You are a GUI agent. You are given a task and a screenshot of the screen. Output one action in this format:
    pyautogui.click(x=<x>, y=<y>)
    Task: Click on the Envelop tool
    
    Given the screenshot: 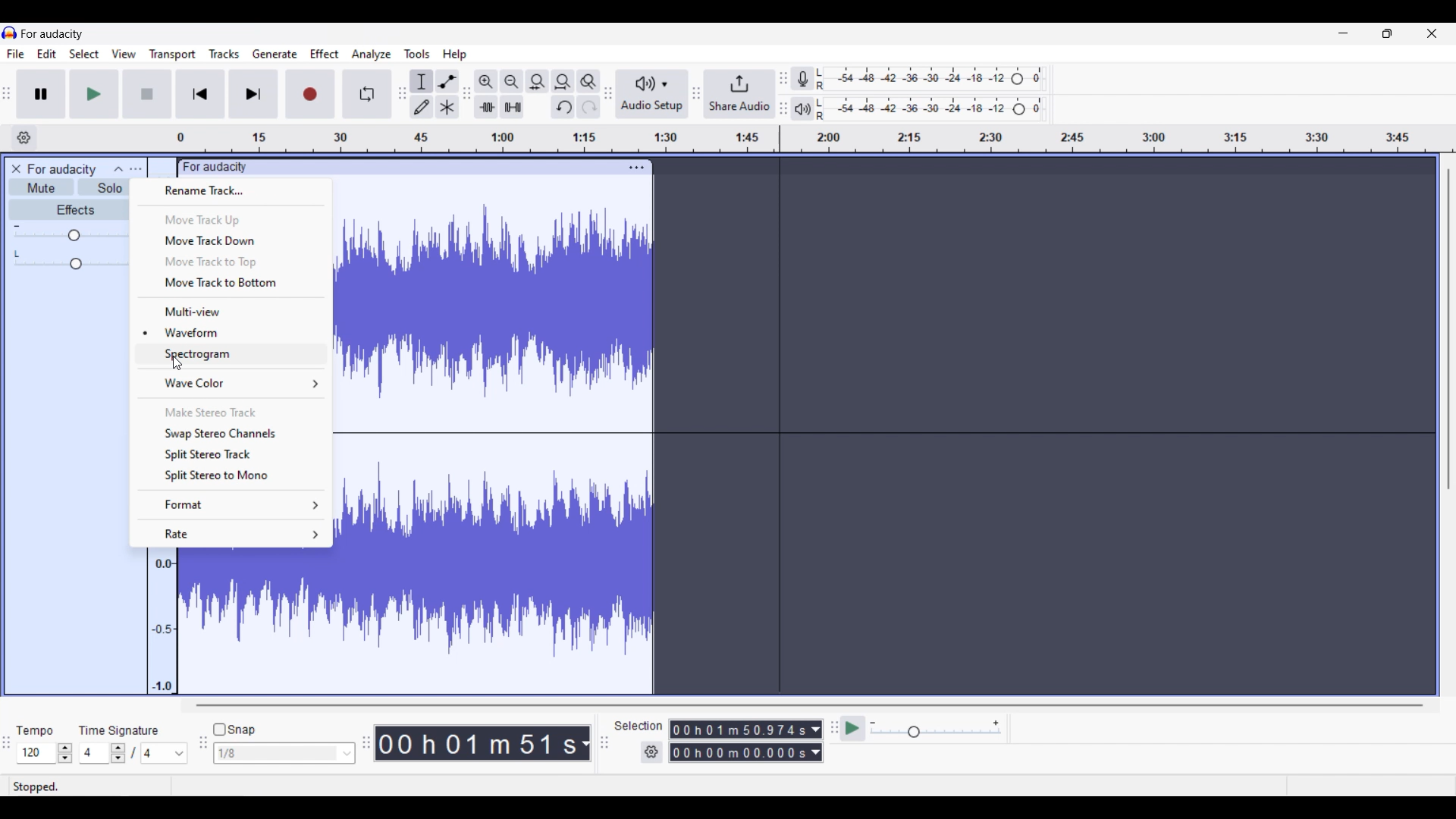 What is the action you would take?
    pyautogui.click(x=447, y=81)
    